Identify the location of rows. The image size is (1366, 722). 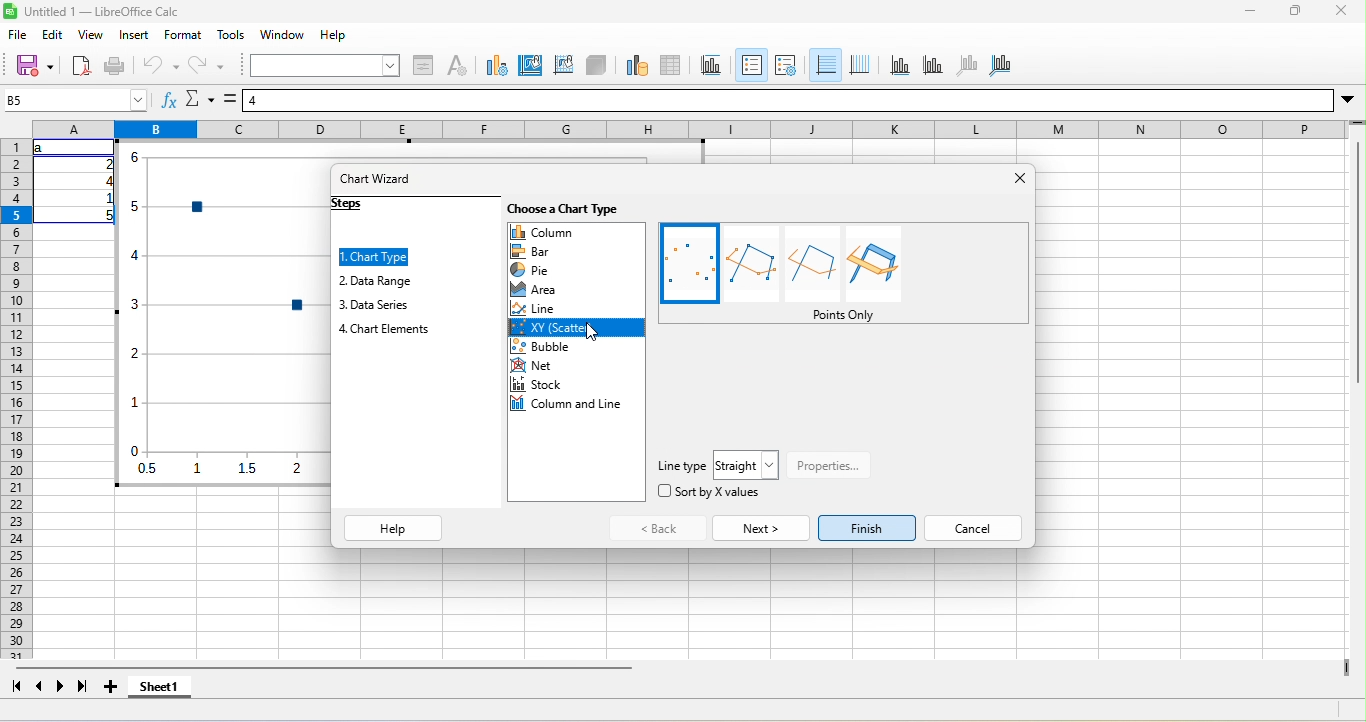
(16, 399).